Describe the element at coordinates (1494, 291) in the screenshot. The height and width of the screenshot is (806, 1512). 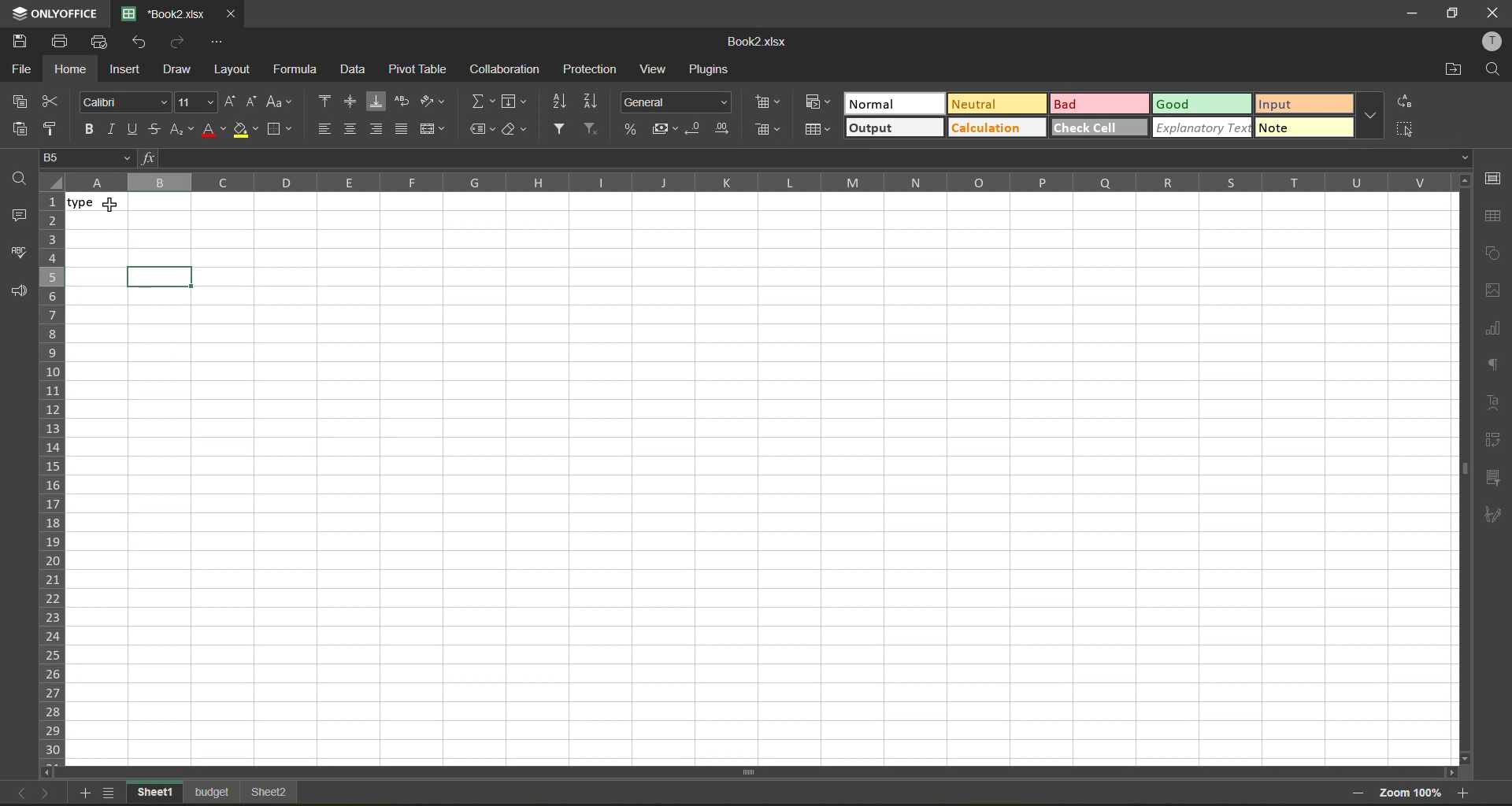
I see `images` at that location.